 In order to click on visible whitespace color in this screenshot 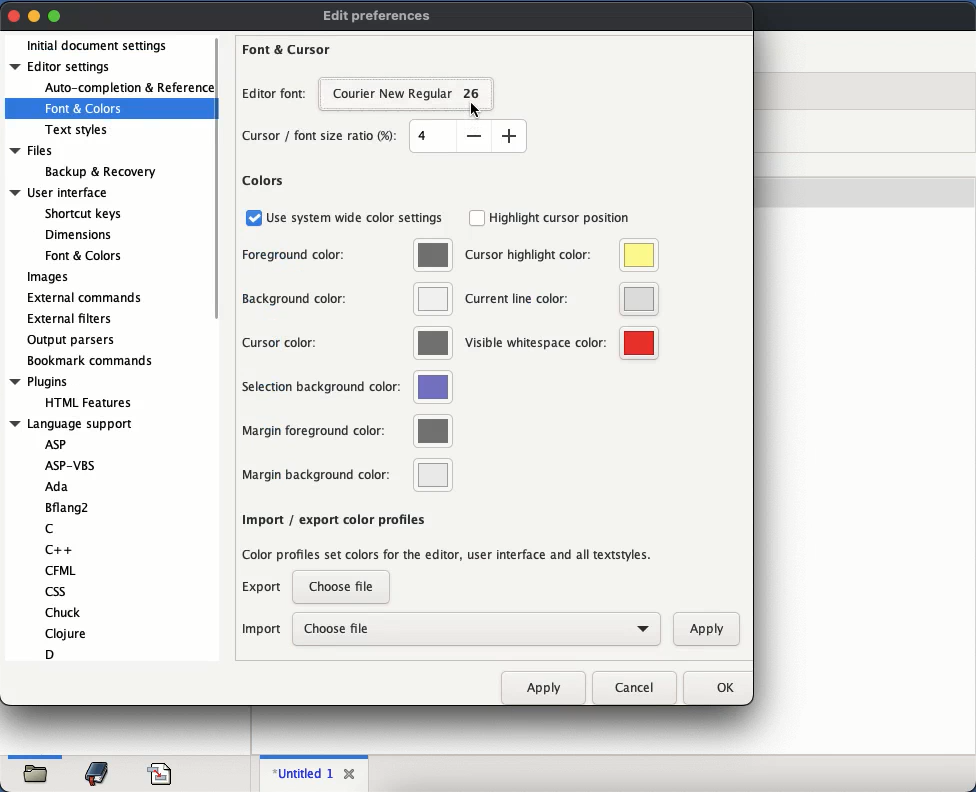, I will do `click(537, 345)`.